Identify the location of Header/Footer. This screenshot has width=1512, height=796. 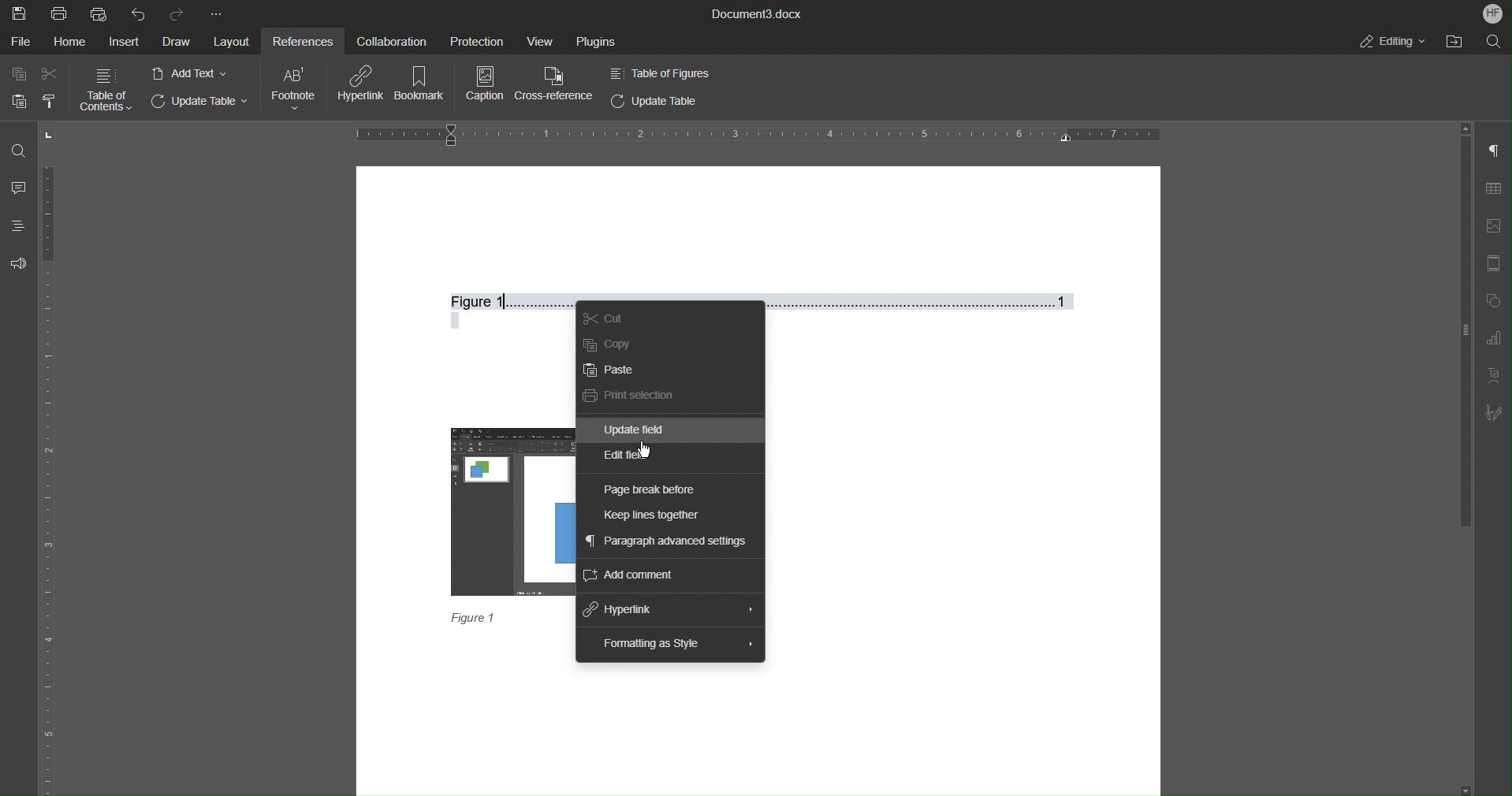
(1496, 265).